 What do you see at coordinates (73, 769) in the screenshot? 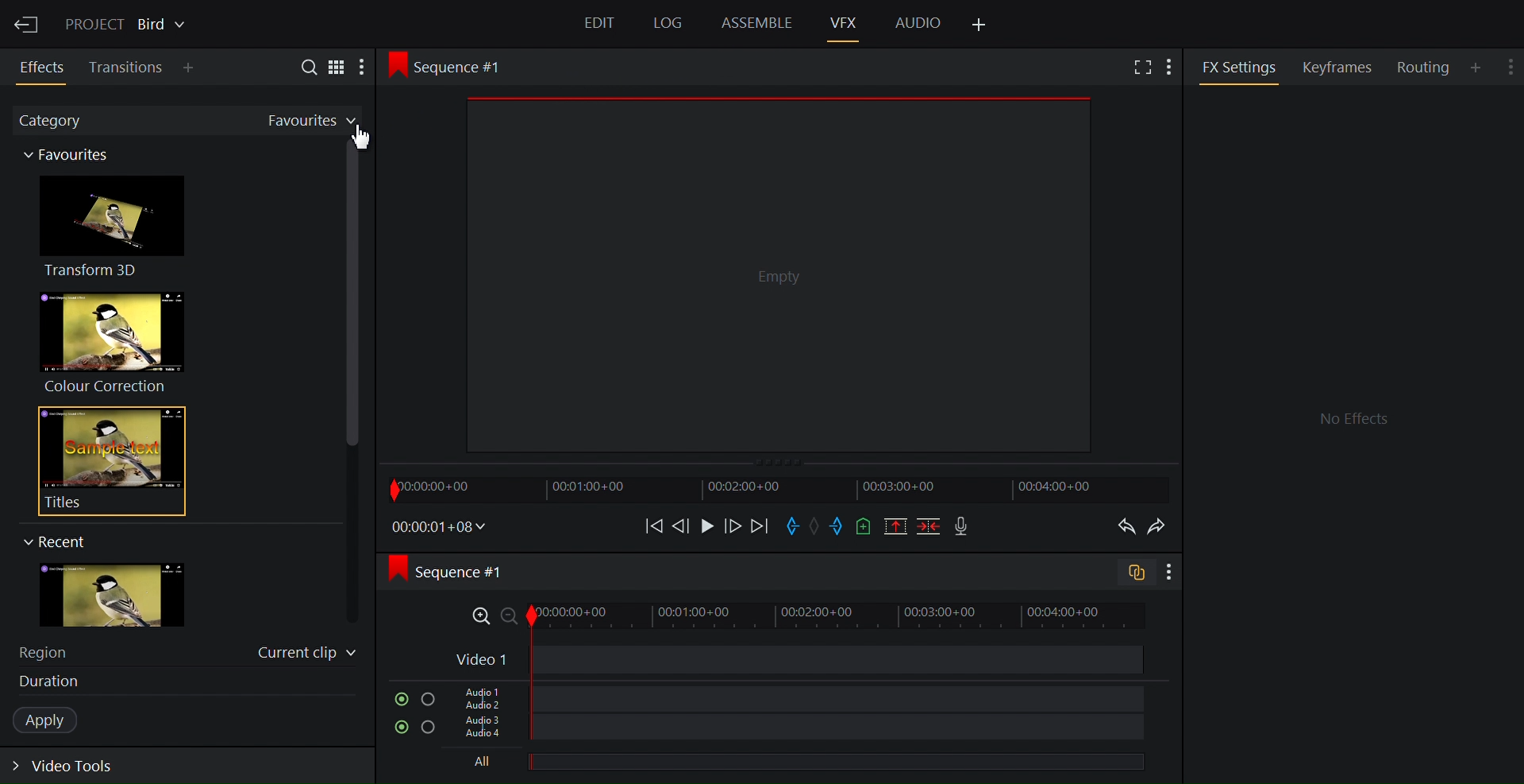
I see `Expand video tools` at bounding box center [73, 769].